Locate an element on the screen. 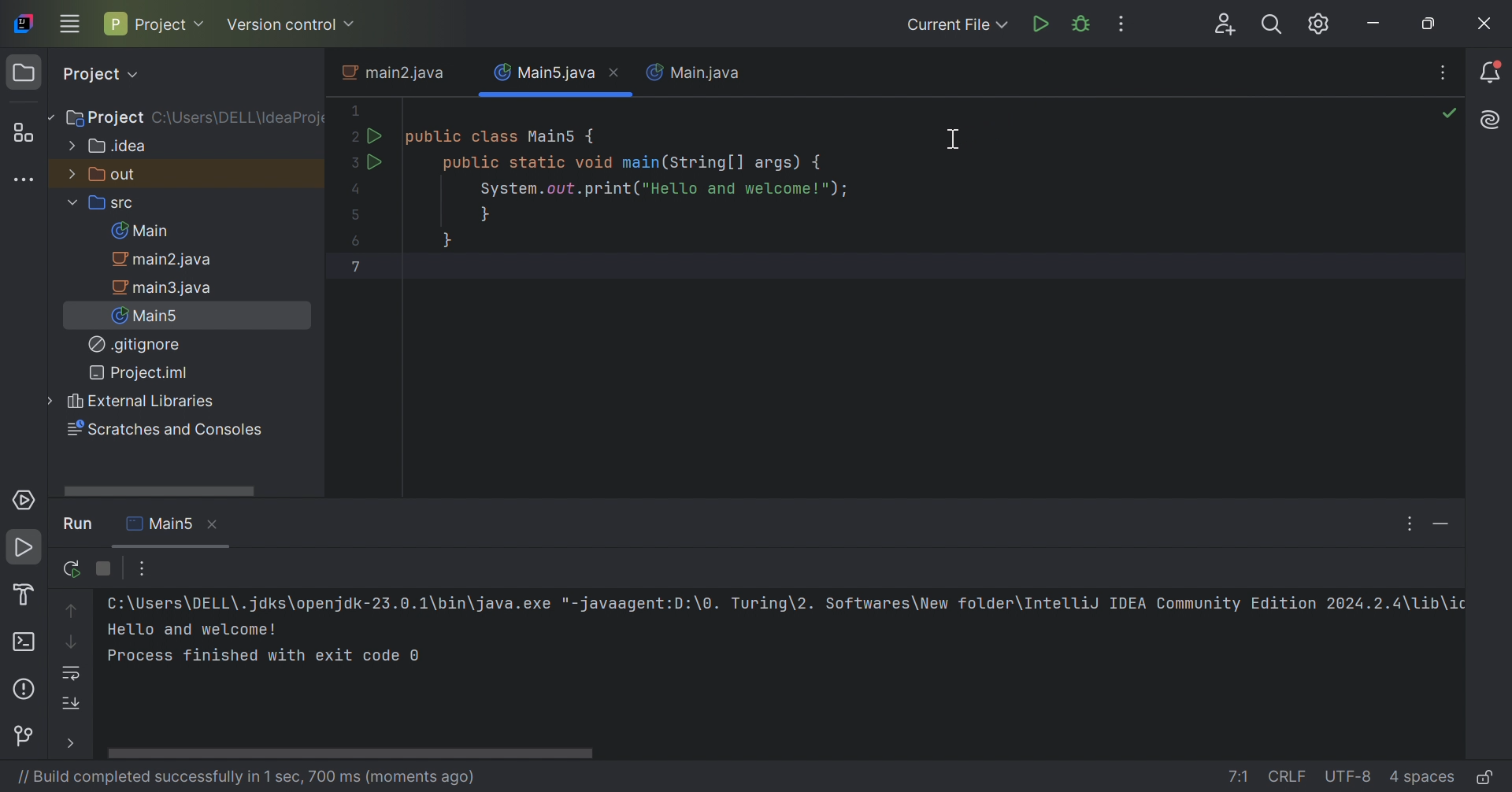  C:\uSERS\DELL\.jdks\openjdk\-23.0.1\bin\java.exe is located at coordinates (327, 603).